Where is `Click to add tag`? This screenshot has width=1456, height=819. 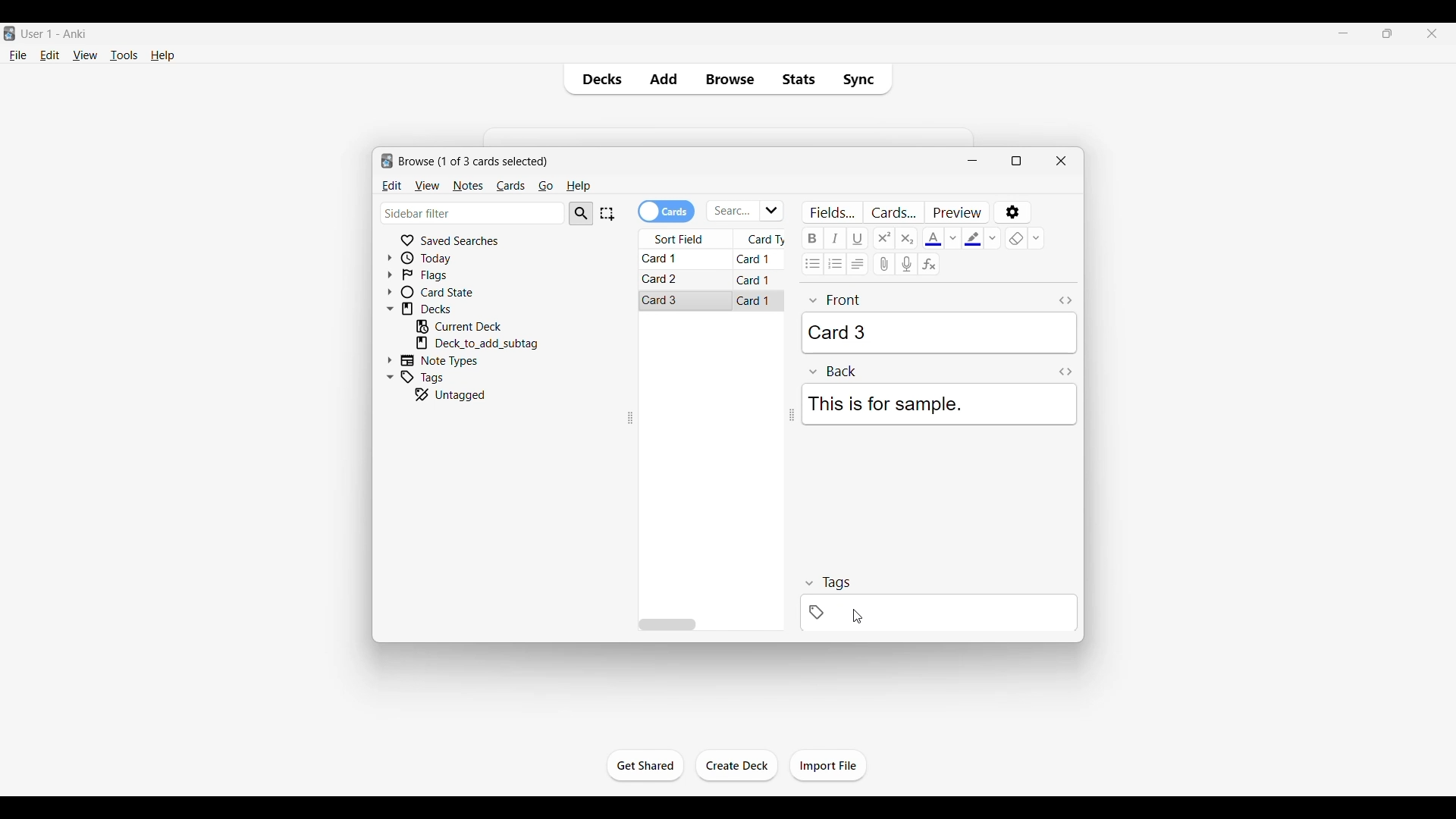
Click to add tag is located at coordinates (939, 613).